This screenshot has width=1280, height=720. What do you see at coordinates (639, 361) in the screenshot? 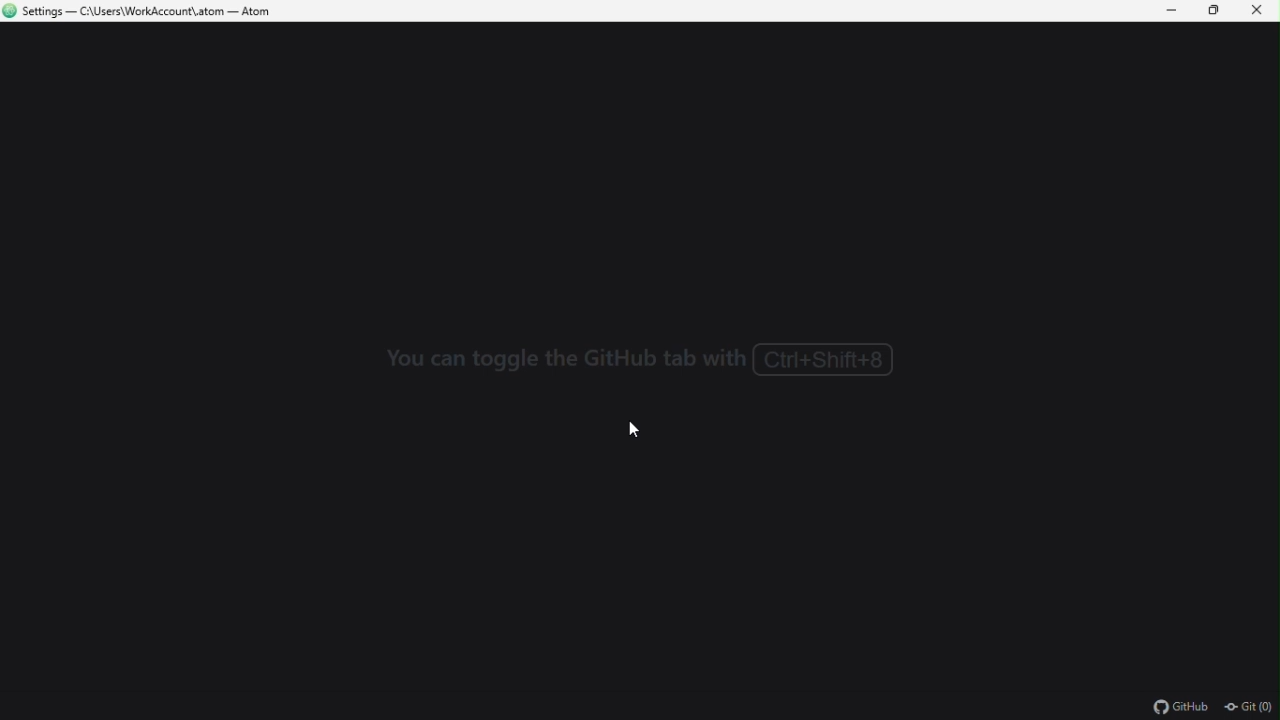
I see `text` at bounding box center [639, 361].